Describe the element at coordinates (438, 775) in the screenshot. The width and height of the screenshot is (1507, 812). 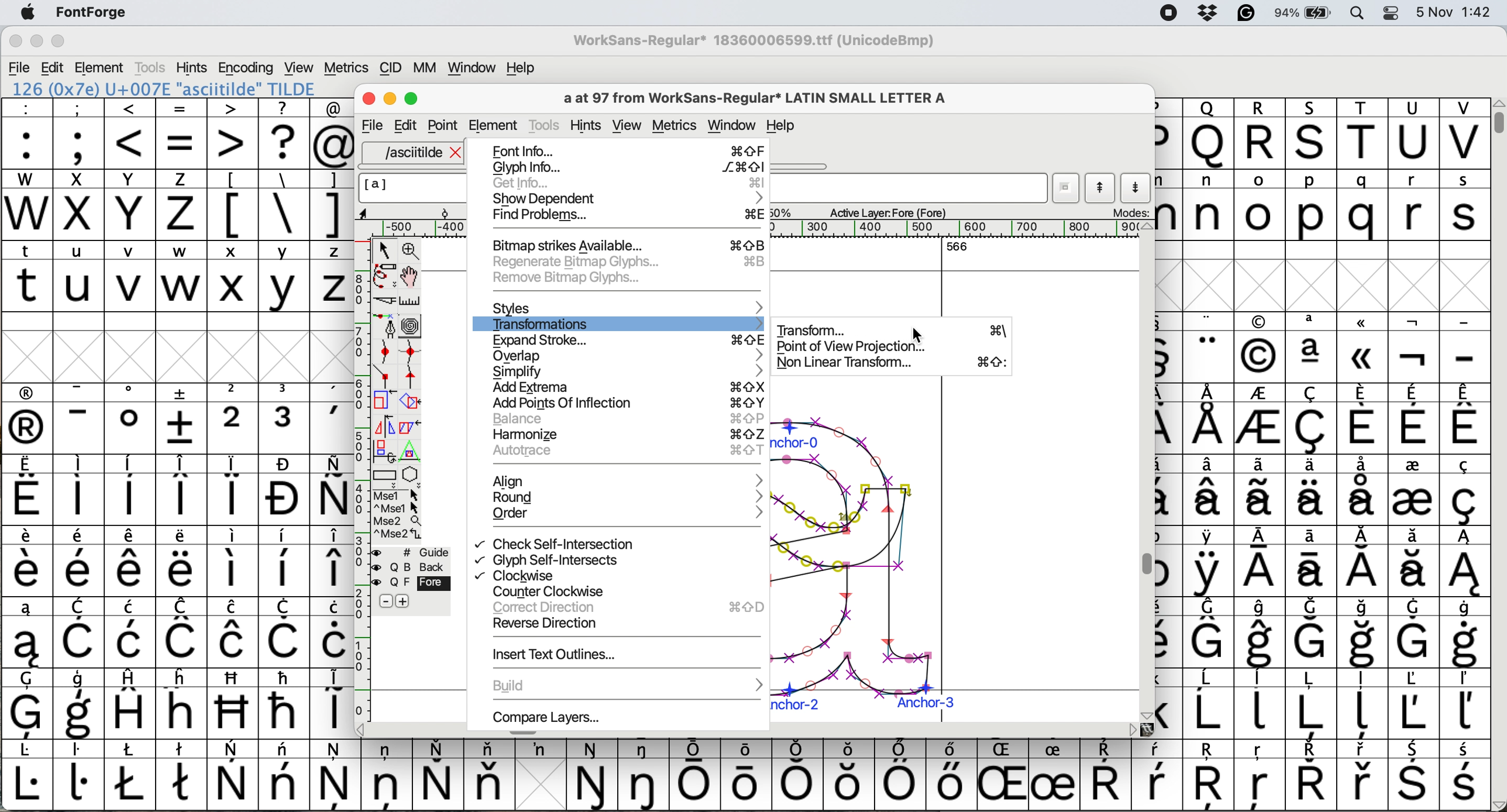
I see `symbol` at that location.